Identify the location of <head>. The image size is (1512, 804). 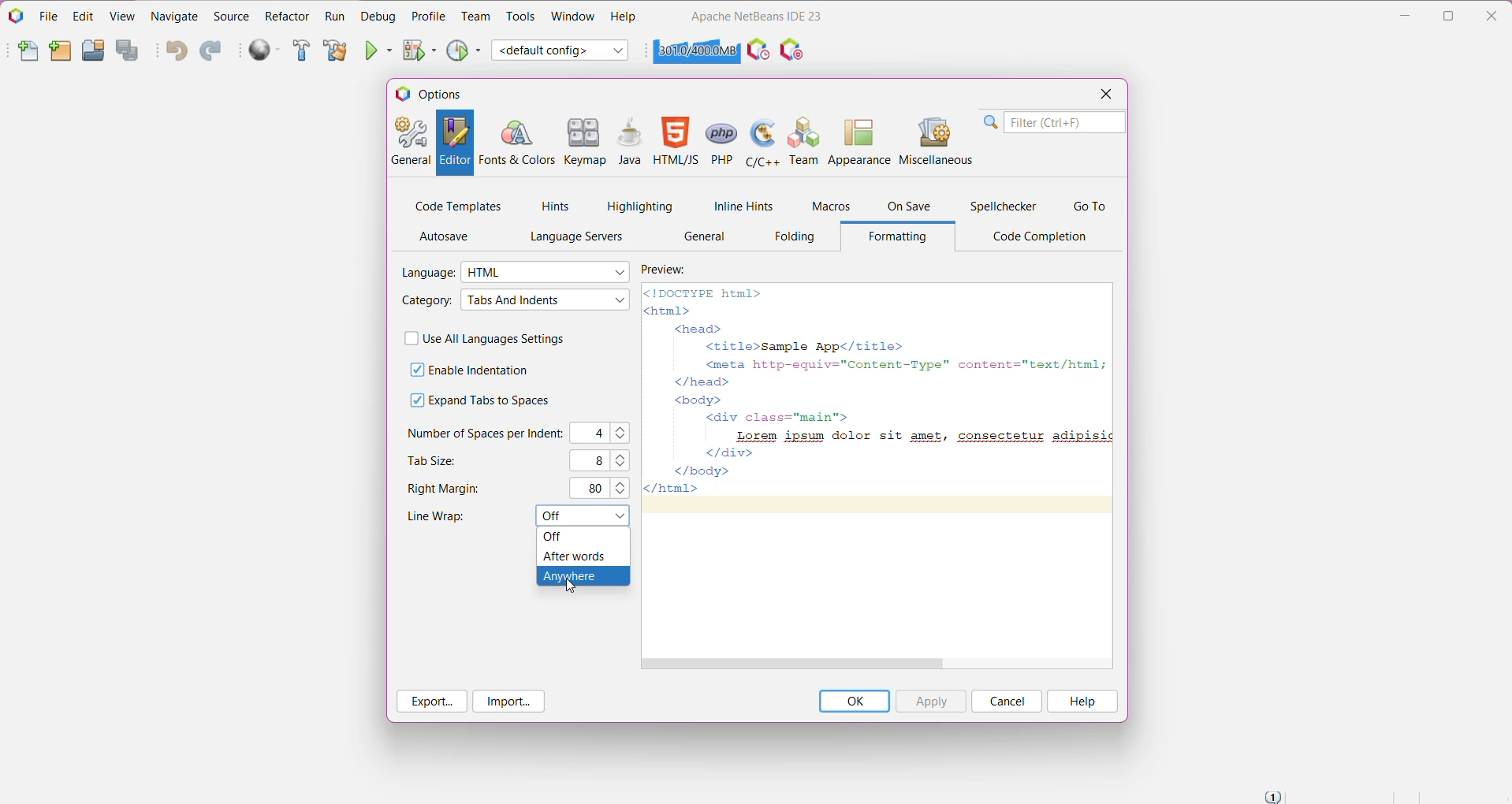
(696, 329).